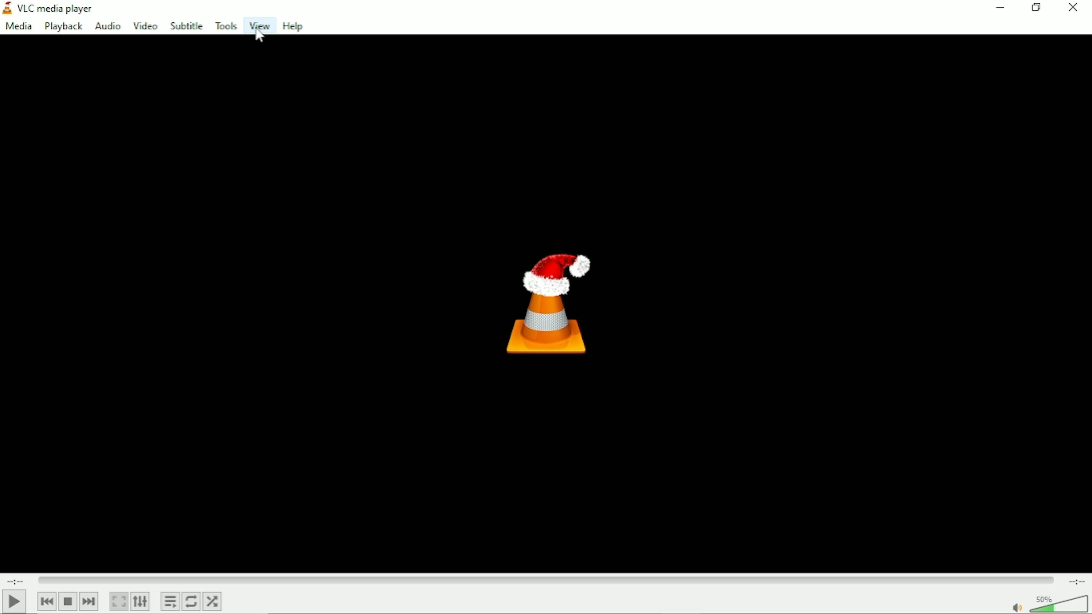 Image resolution: width=1092 pixels, height=614 pixels. What do you see at coordinates (1036, 8) in the screenshot?
I see `Restore down` at bounding box center [1036, 8].